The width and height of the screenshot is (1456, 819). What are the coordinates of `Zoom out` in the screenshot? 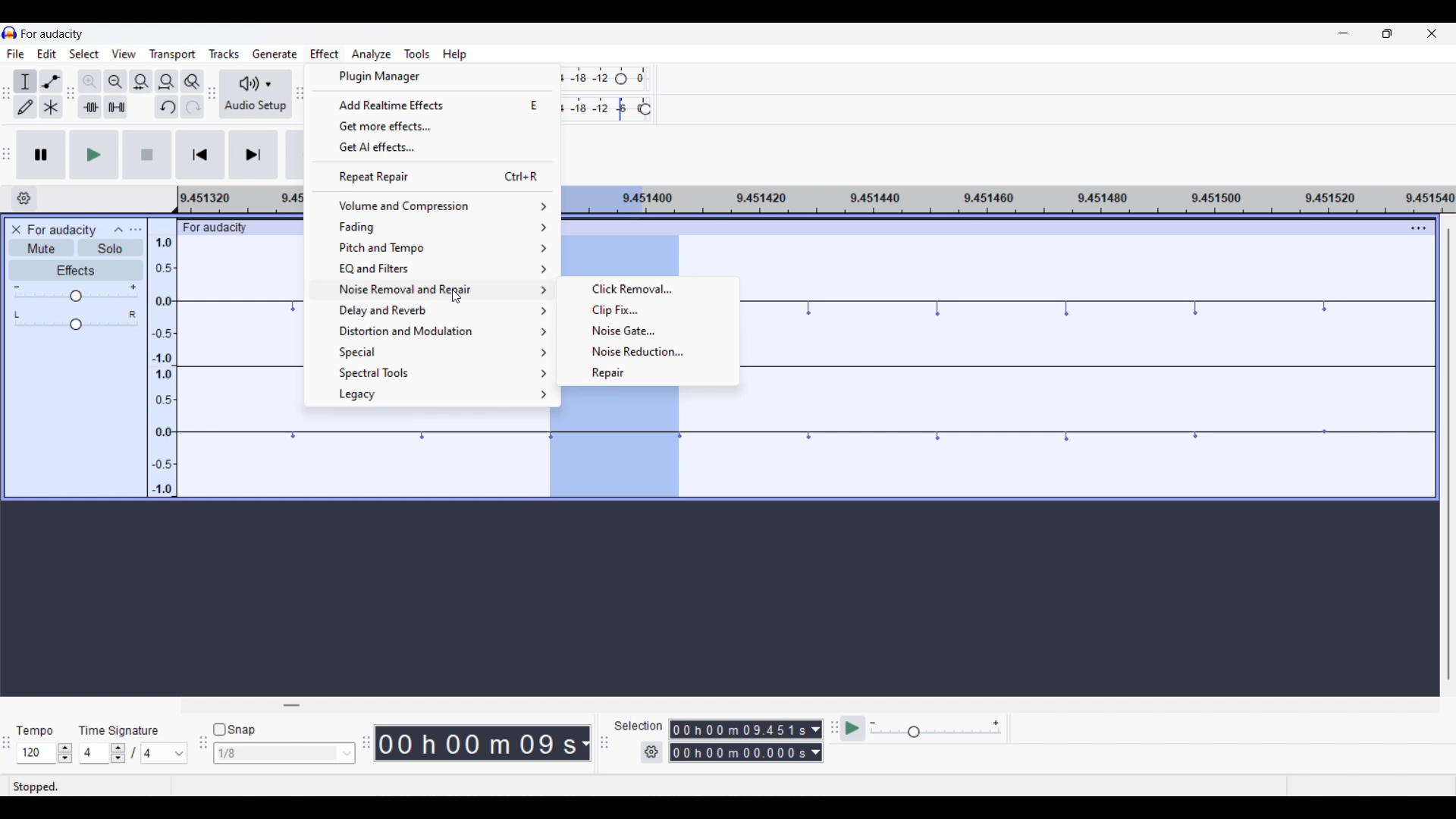 It's located at (115, 81).